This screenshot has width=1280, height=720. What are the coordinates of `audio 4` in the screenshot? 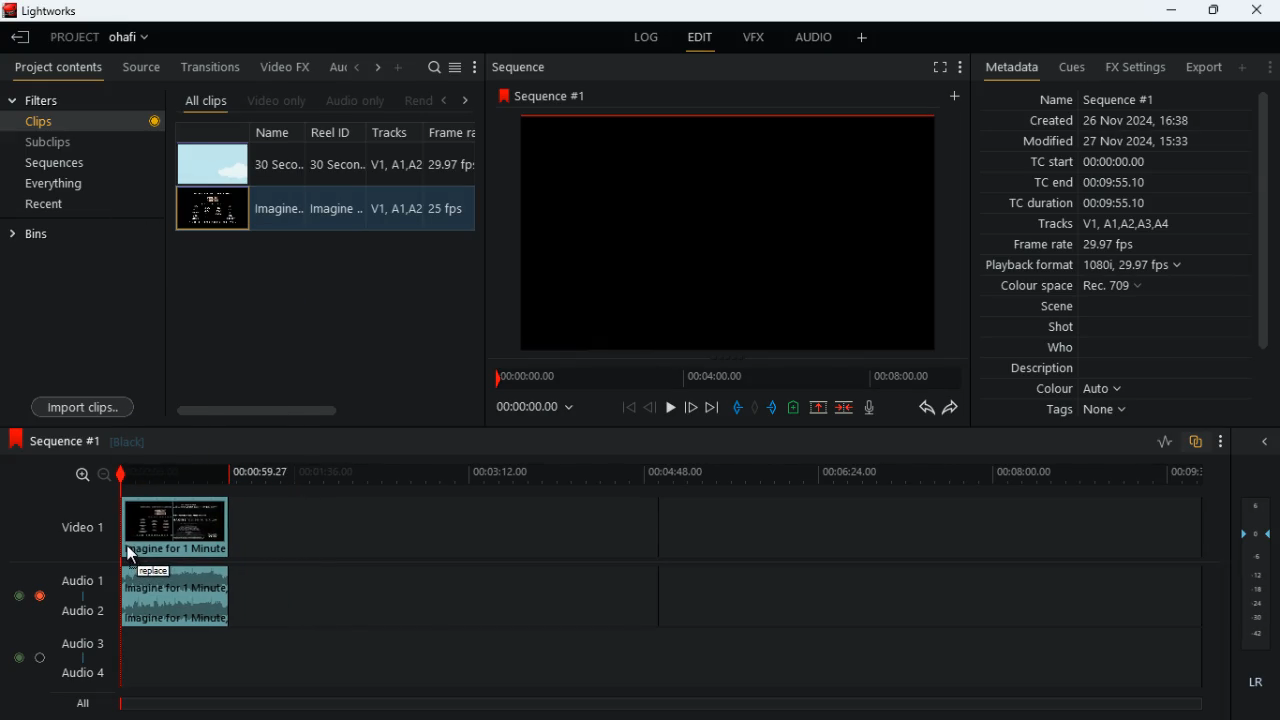 It's located at (86, 677).